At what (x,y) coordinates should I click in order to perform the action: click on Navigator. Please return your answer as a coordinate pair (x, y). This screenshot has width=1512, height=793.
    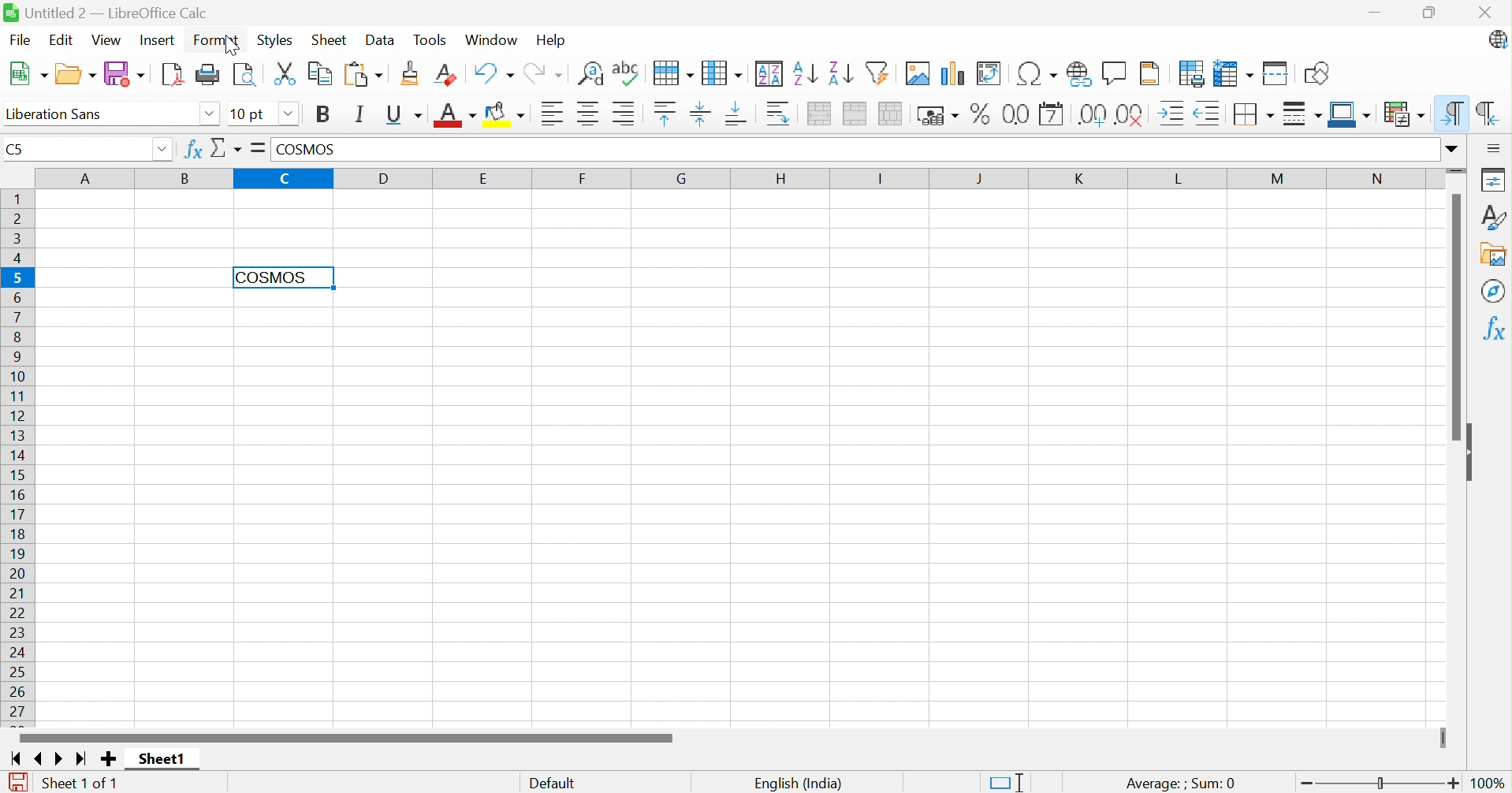
    Looking at the image, I should click on (1496, 289).